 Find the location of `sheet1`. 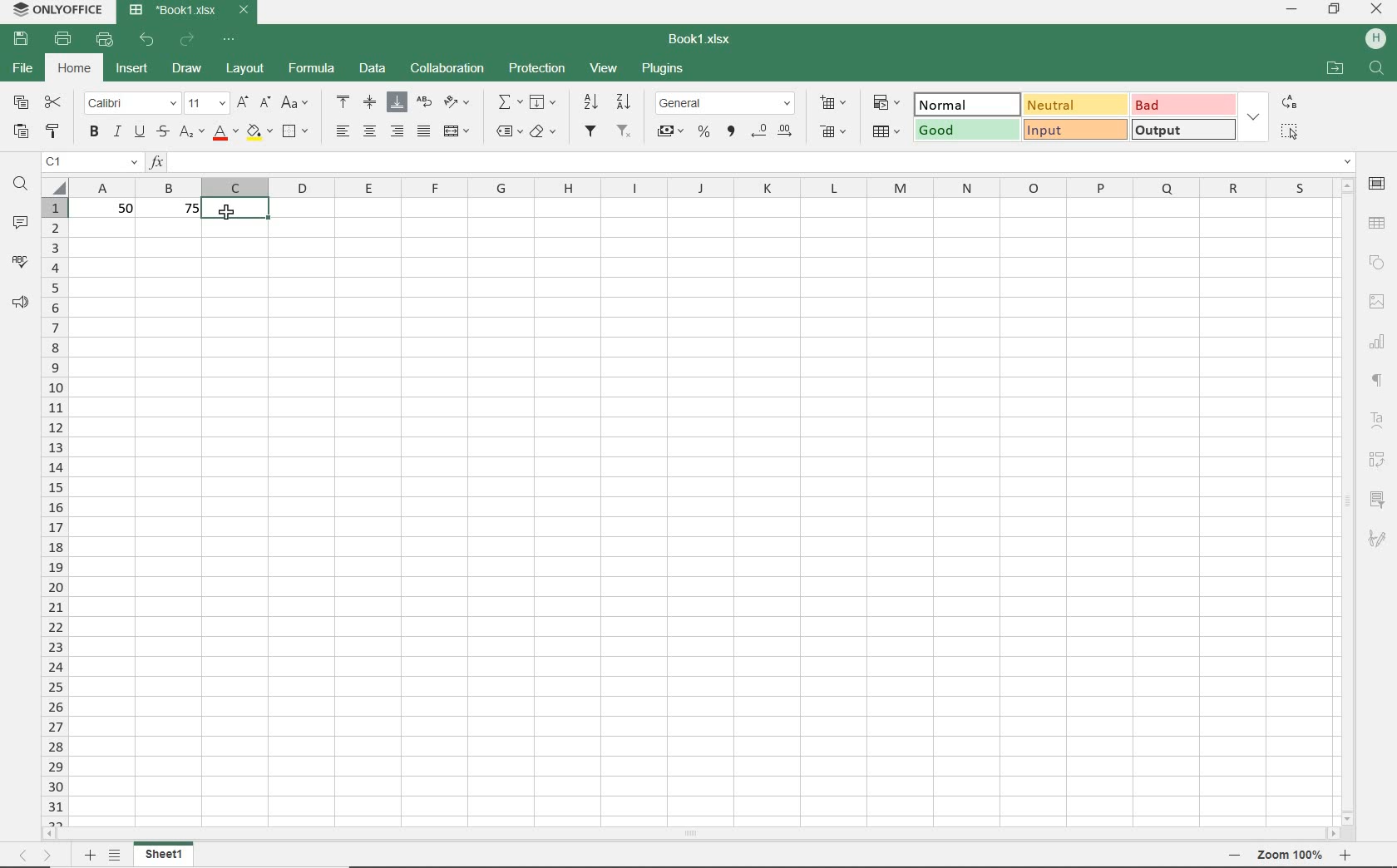

sheet1 is located at coordinates (167, 854).